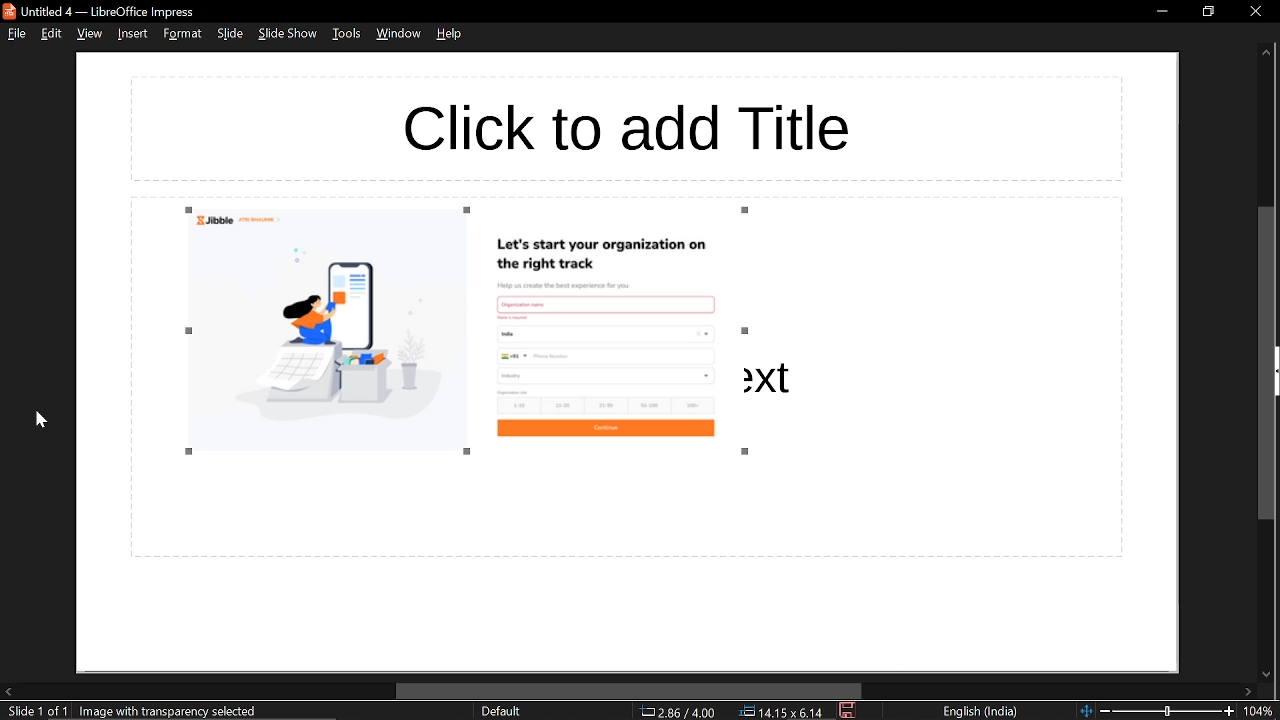 Image resolution: width=1280 pixels, height=720 pixels. Describe the element at coordinates (1248, 693) in the screenshot. I see `move right` at that location.